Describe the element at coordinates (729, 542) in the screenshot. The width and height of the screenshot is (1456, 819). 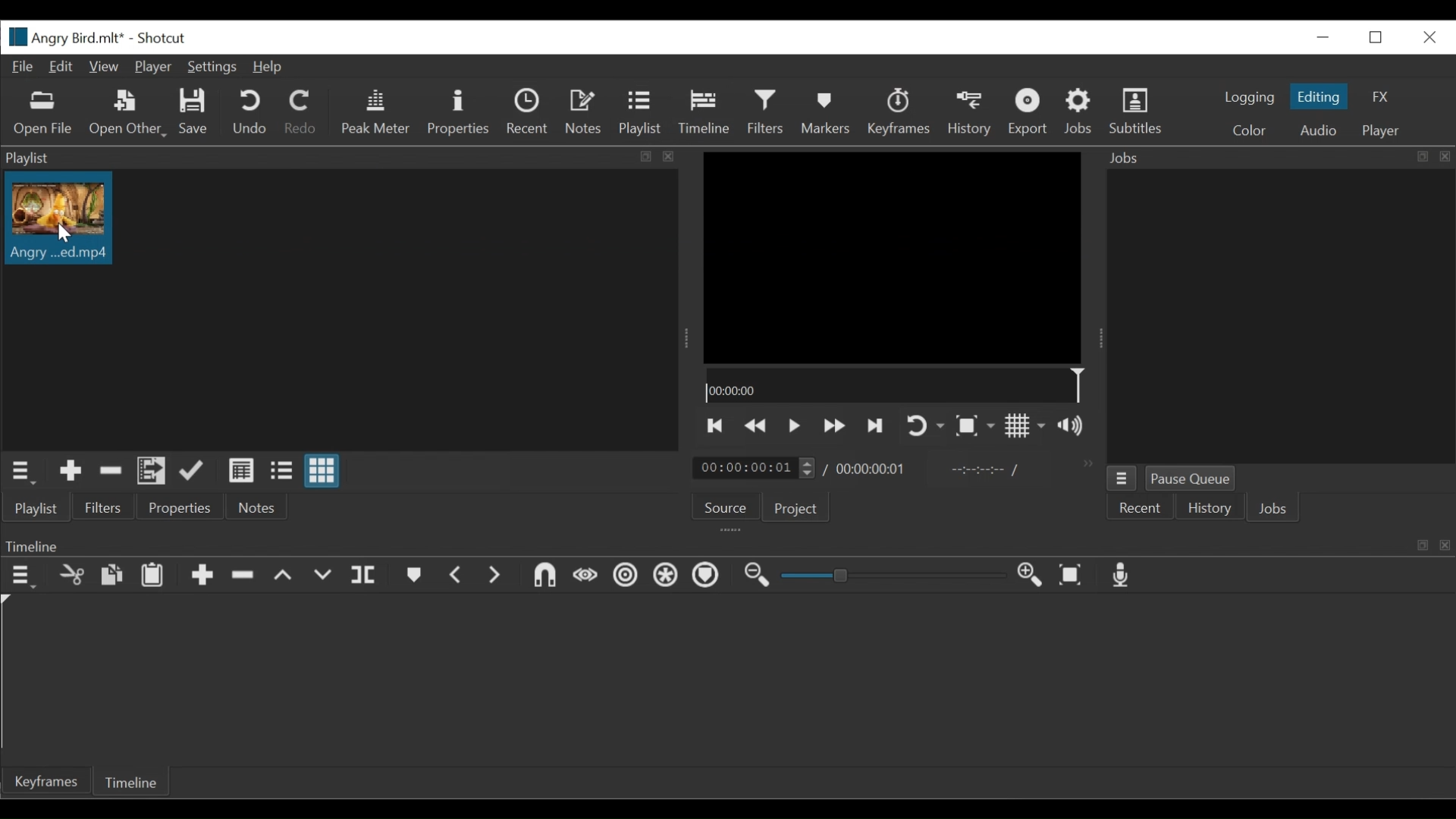
I see `Timeline Panel` at that location.